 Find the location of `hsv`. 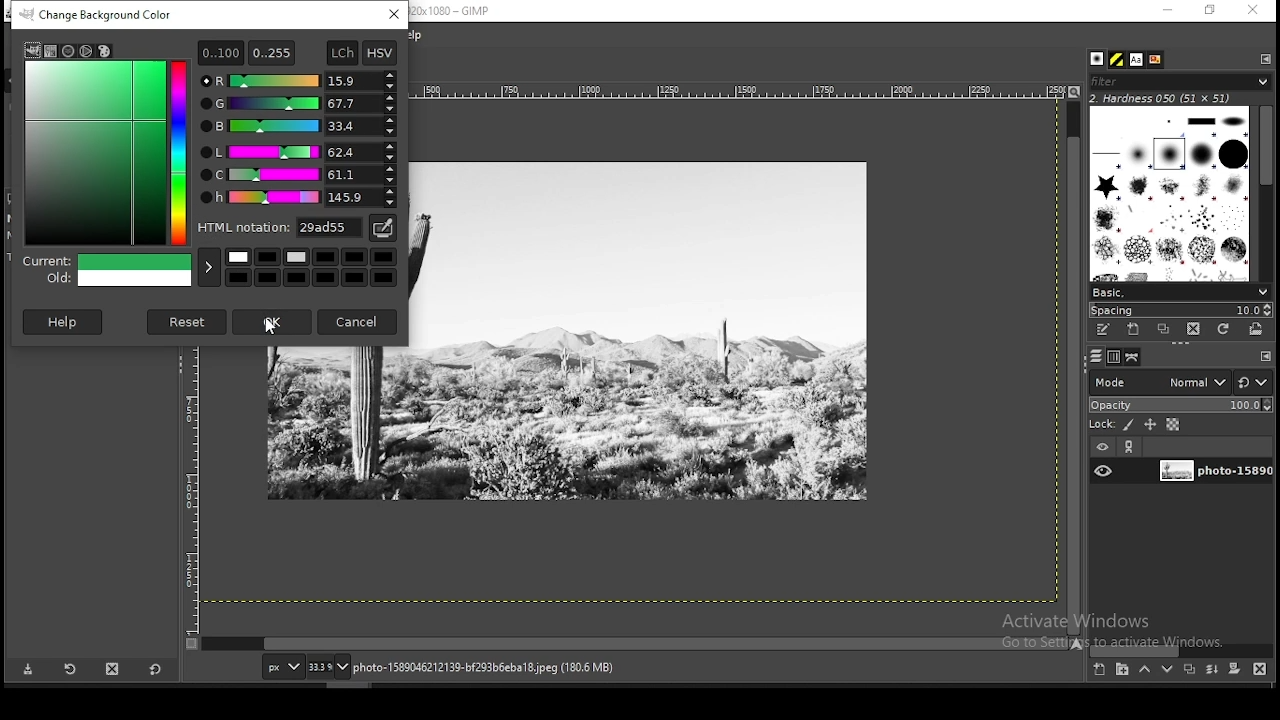

hsv is located at coordinates (380, 53).